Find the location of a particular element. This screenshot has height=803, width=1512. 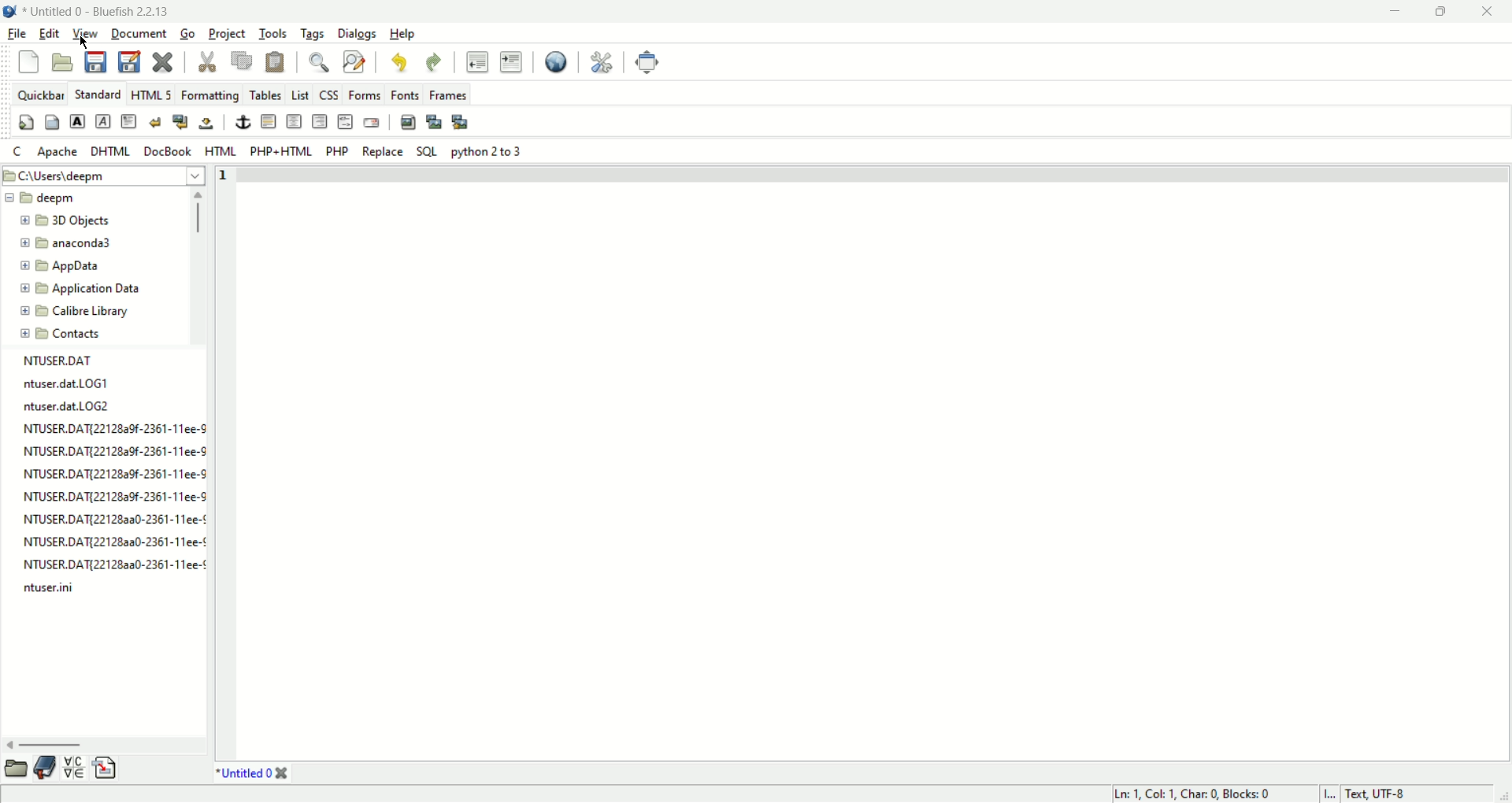

edit is located at coordinates (50, 33).